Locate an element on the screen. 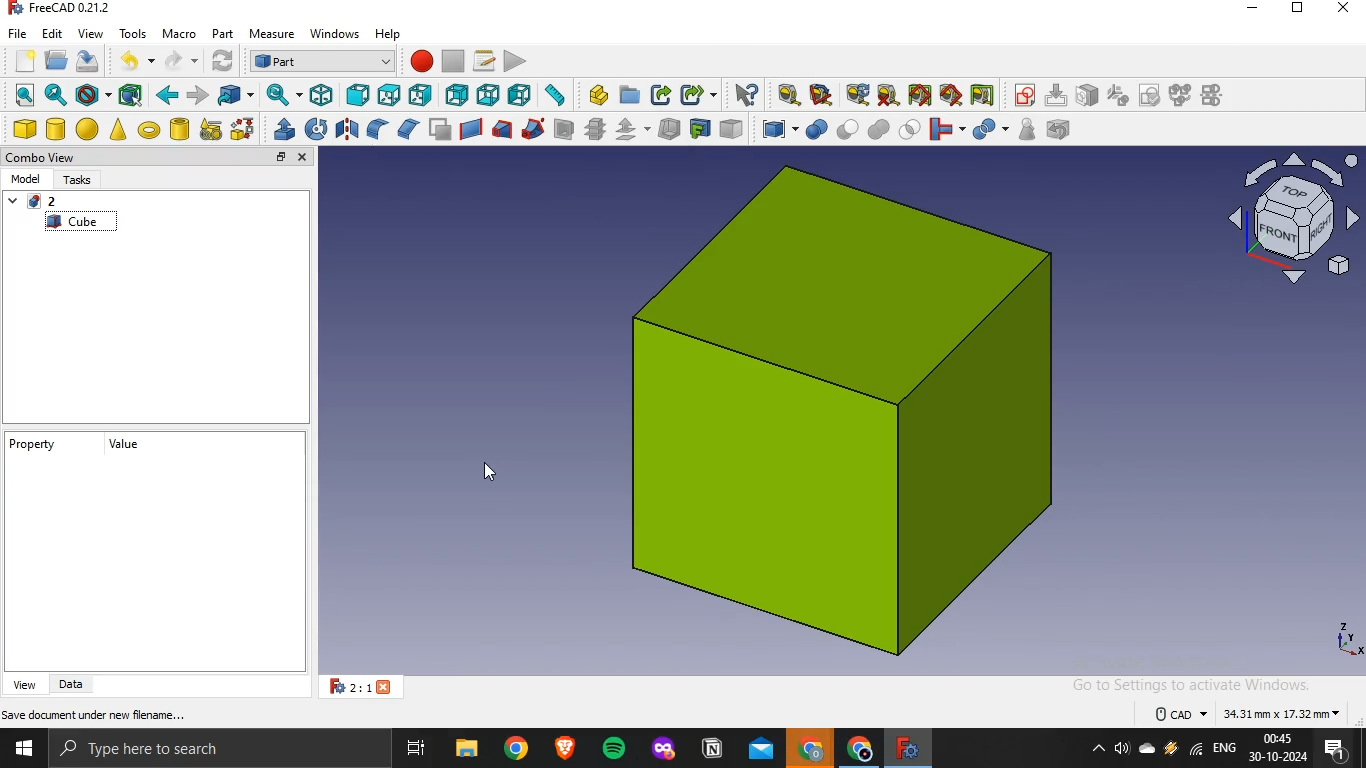 This screenshot has width=1366, height=768. open is located at coordinates (55, 61).